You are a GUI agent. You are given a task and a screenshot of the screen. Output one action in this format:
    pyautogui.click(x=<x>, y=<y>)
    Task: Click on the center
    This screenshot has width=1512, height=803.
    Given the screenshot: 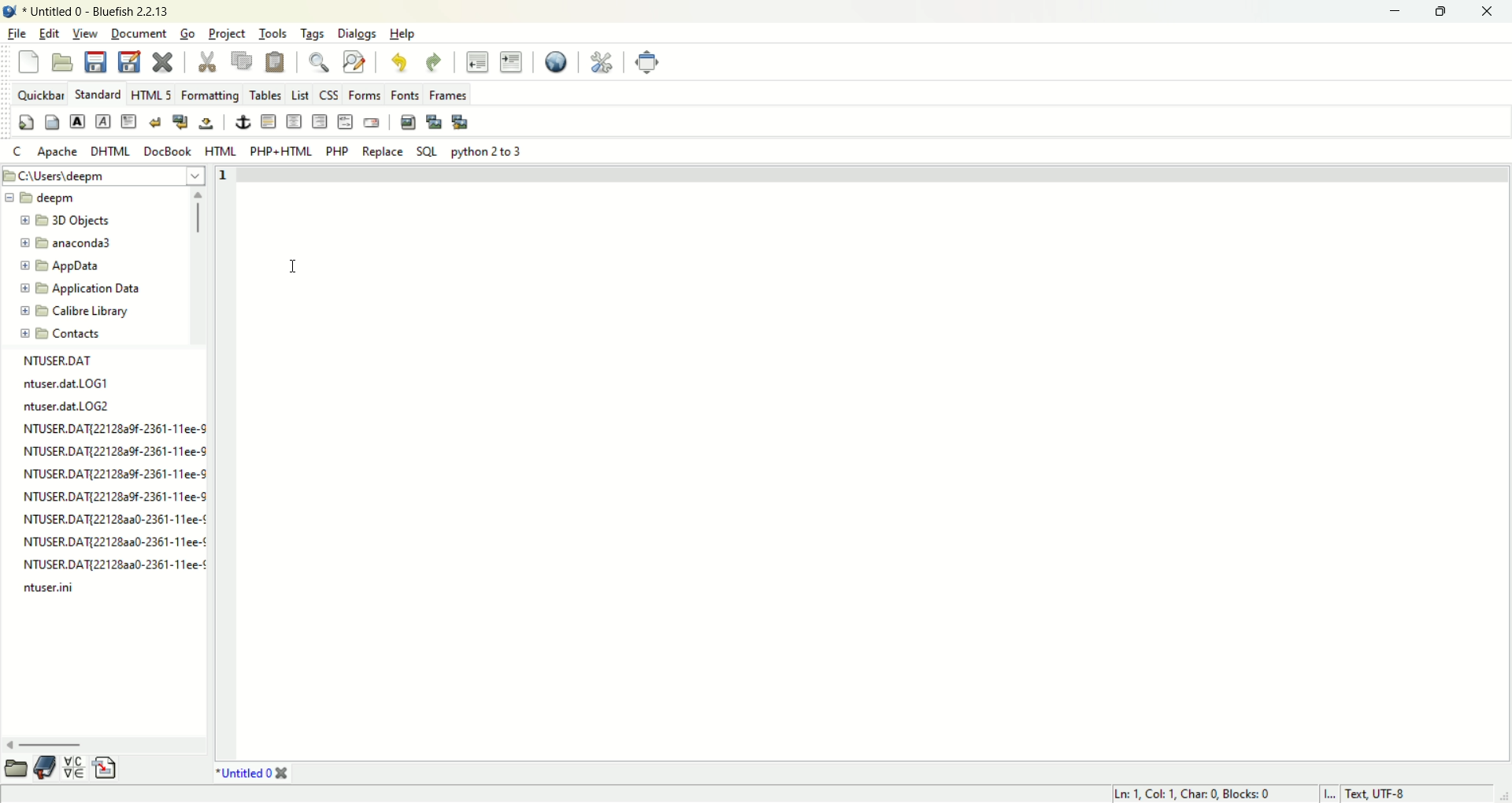 What is the action you would take?
    pyautogui.click(x=295, y=121)
    